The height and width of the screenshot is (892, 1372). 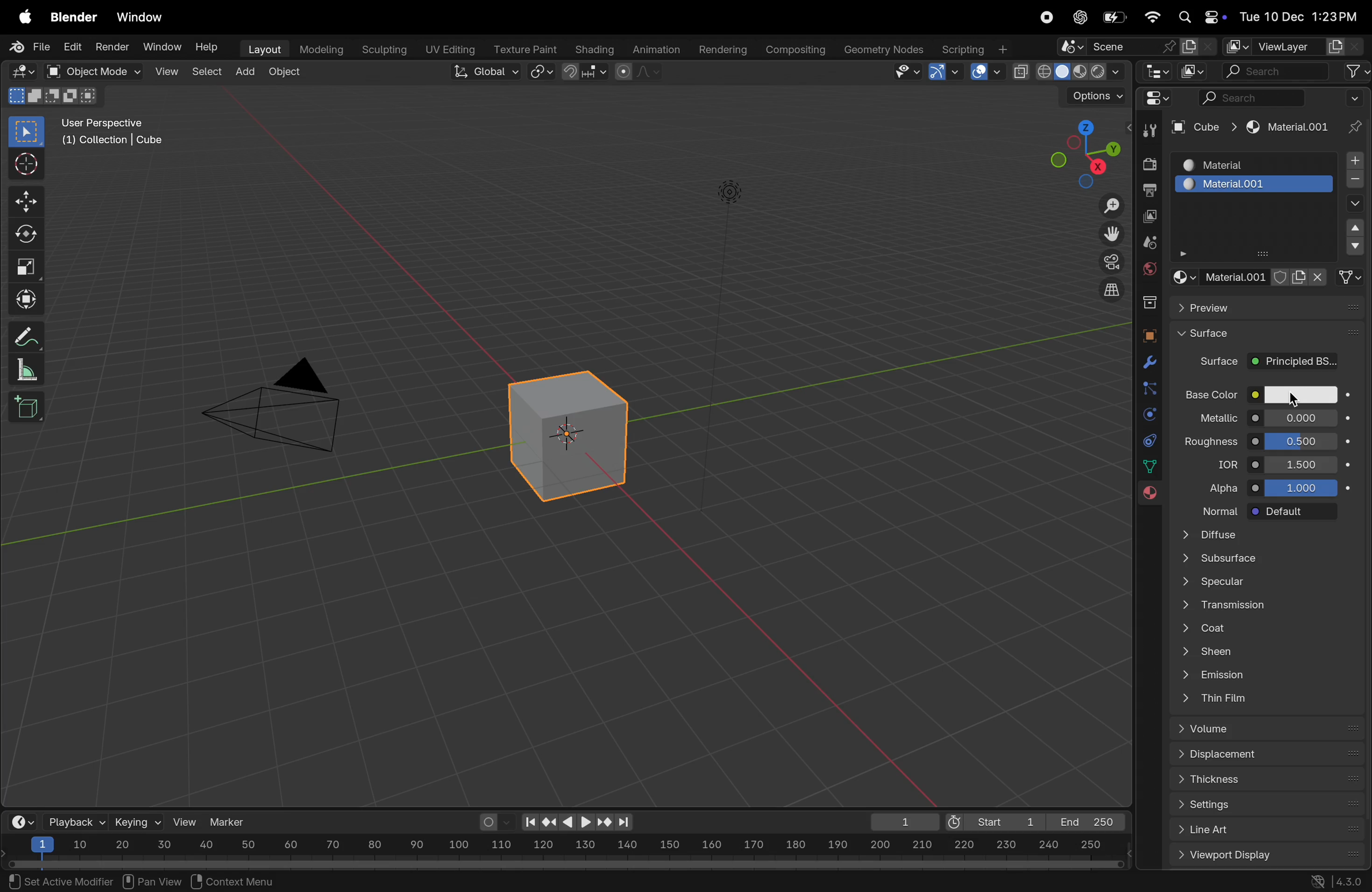 What do you see at coordinates (974, 46) in the screenshot?
I see `Scripting` at bounding box center [974, 46].